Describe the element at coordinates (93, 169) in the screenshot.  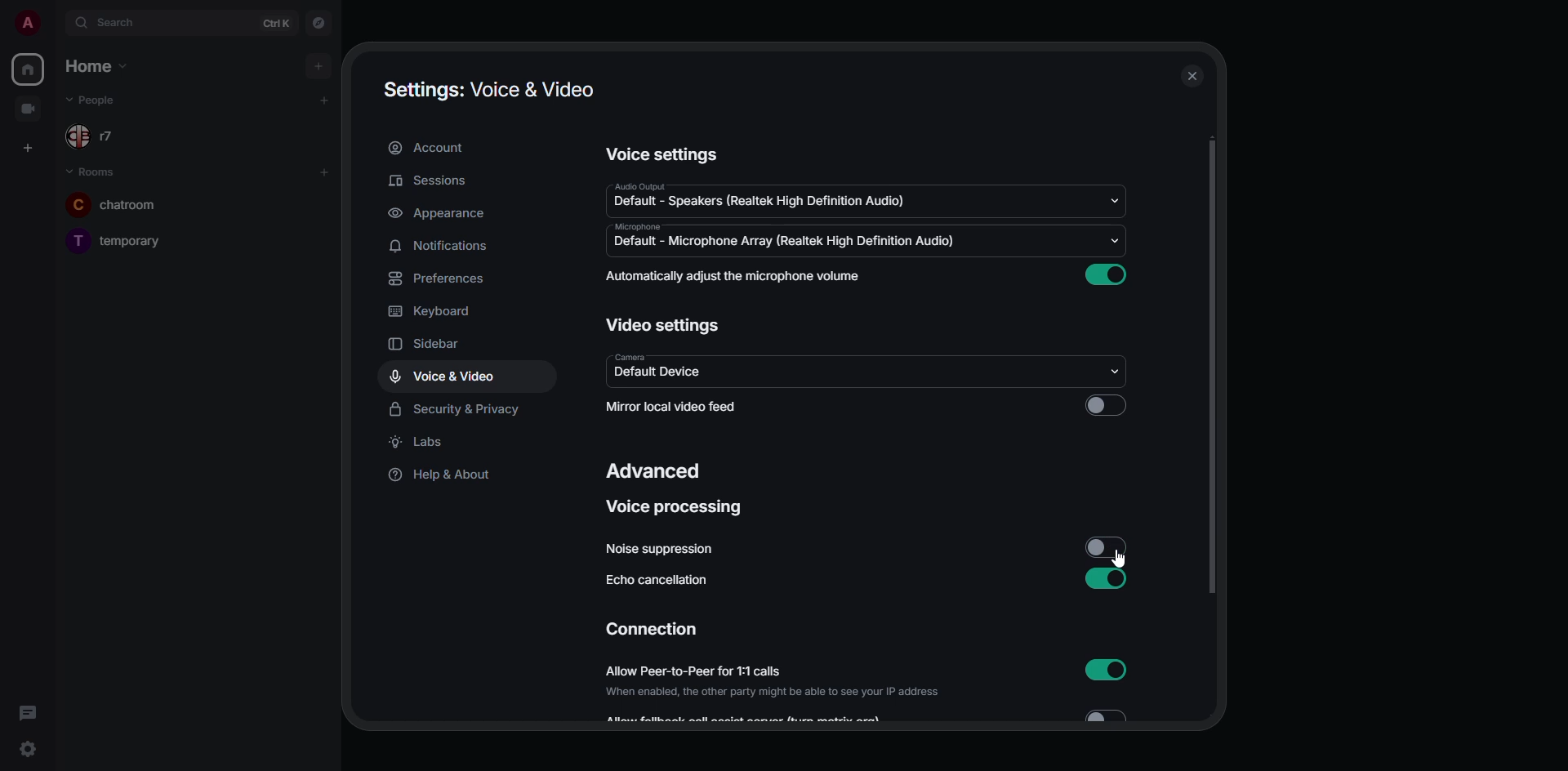
I see `rooms` at that location.